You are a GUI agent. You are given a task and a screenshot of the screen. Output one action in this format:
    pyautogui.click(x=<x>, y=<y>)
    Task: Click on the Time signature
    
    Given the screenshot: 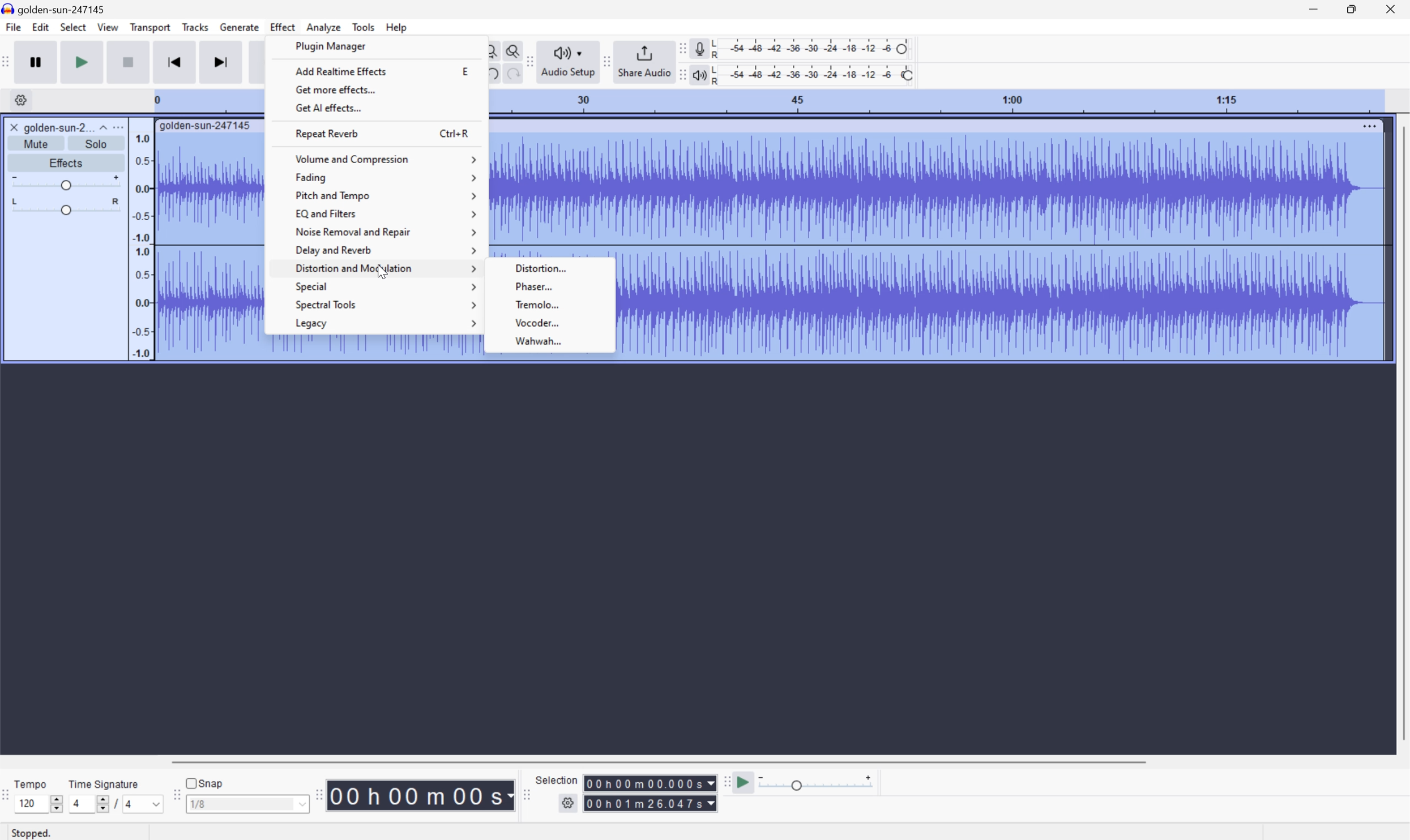 What is the action you would take?
    pyautogui.click(x=103, y=783)
    